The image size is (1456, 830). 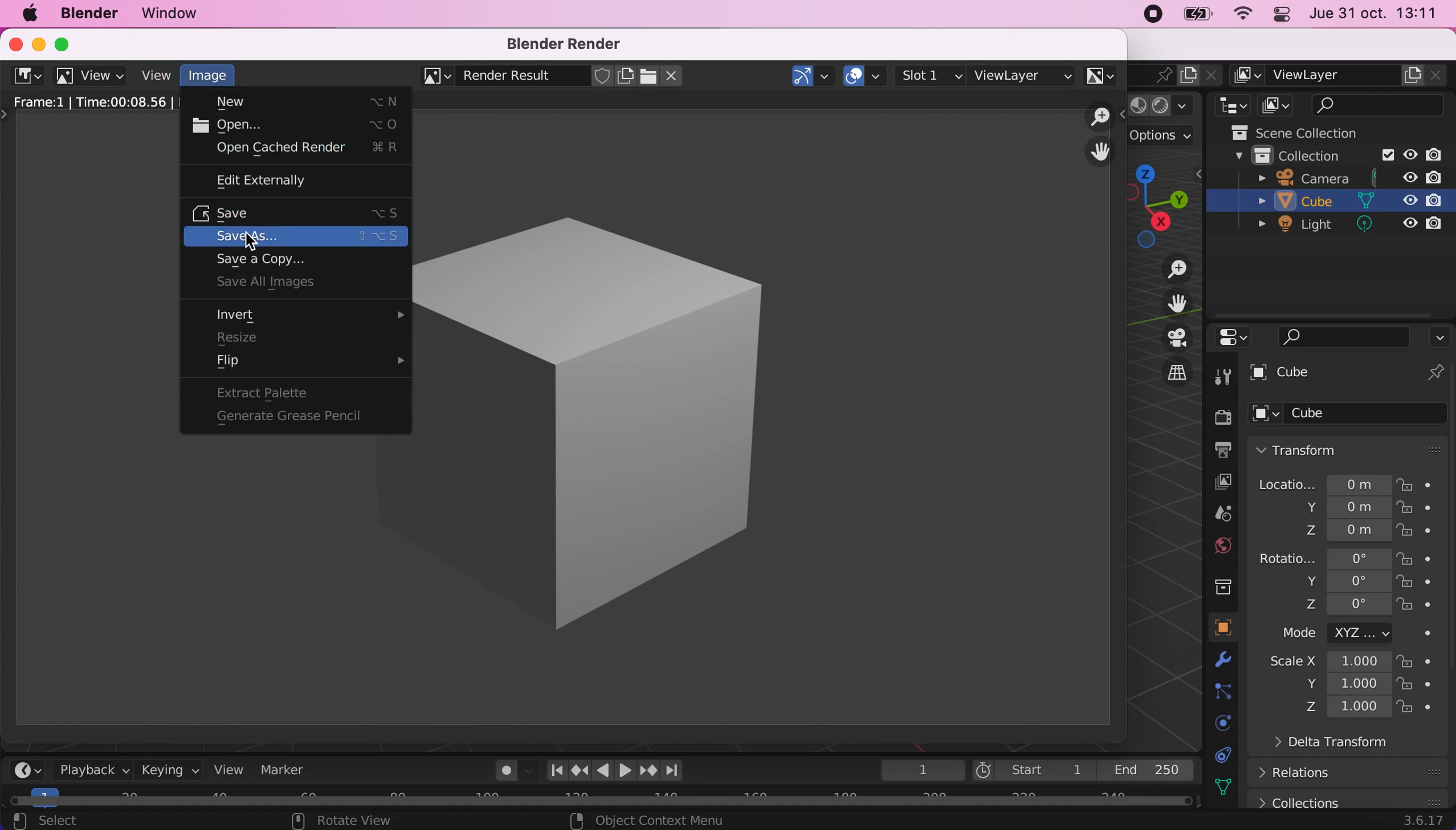 What do you see at coordinates (1101, 117) in the screenshot?
I see `zoom in/out` at bounding box center [1101, 117].